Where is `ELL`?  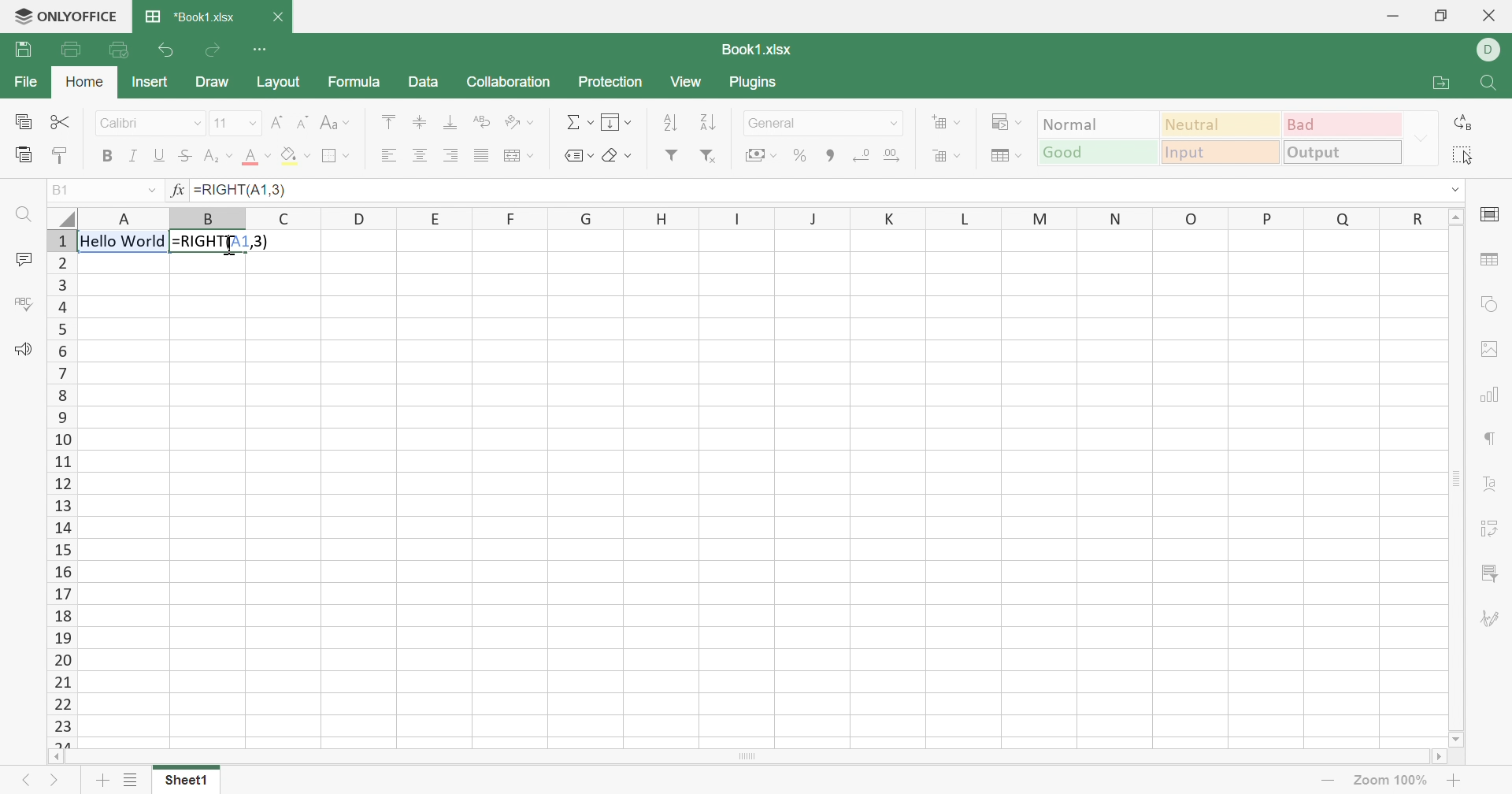
ELL is located at coordinates (1492, 49).